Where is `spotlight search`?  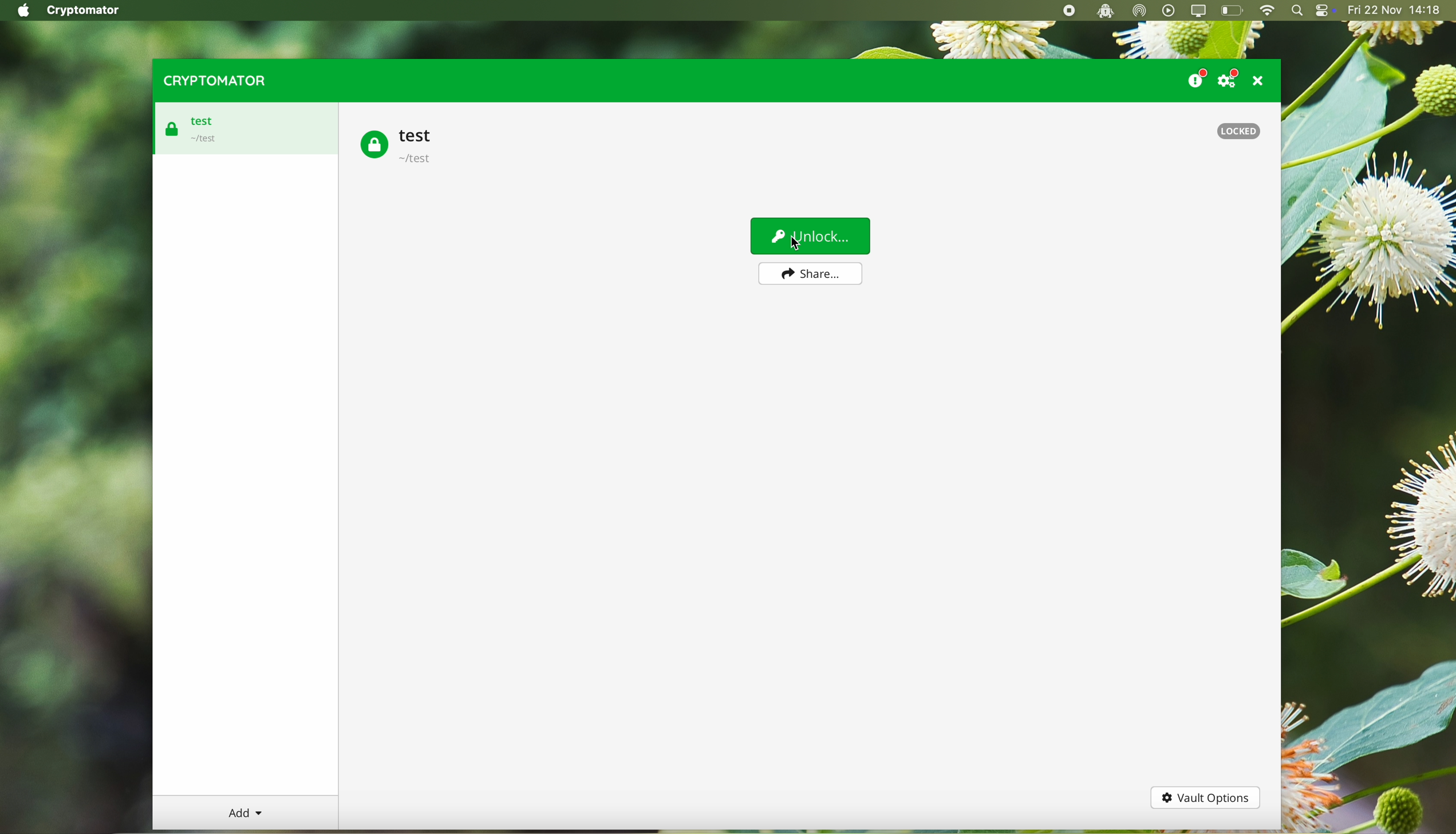
spotlight search is located at coordinates (1297, 11).